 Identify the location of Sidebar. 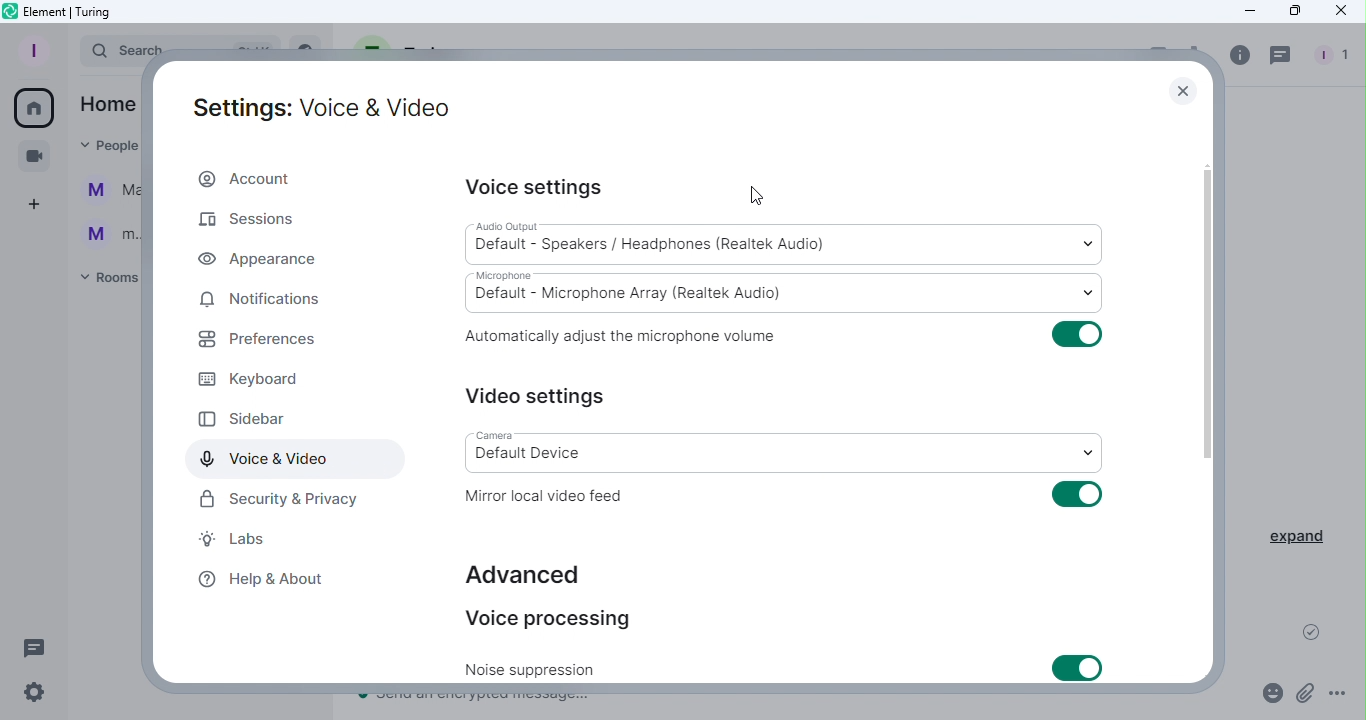
(281, 421).